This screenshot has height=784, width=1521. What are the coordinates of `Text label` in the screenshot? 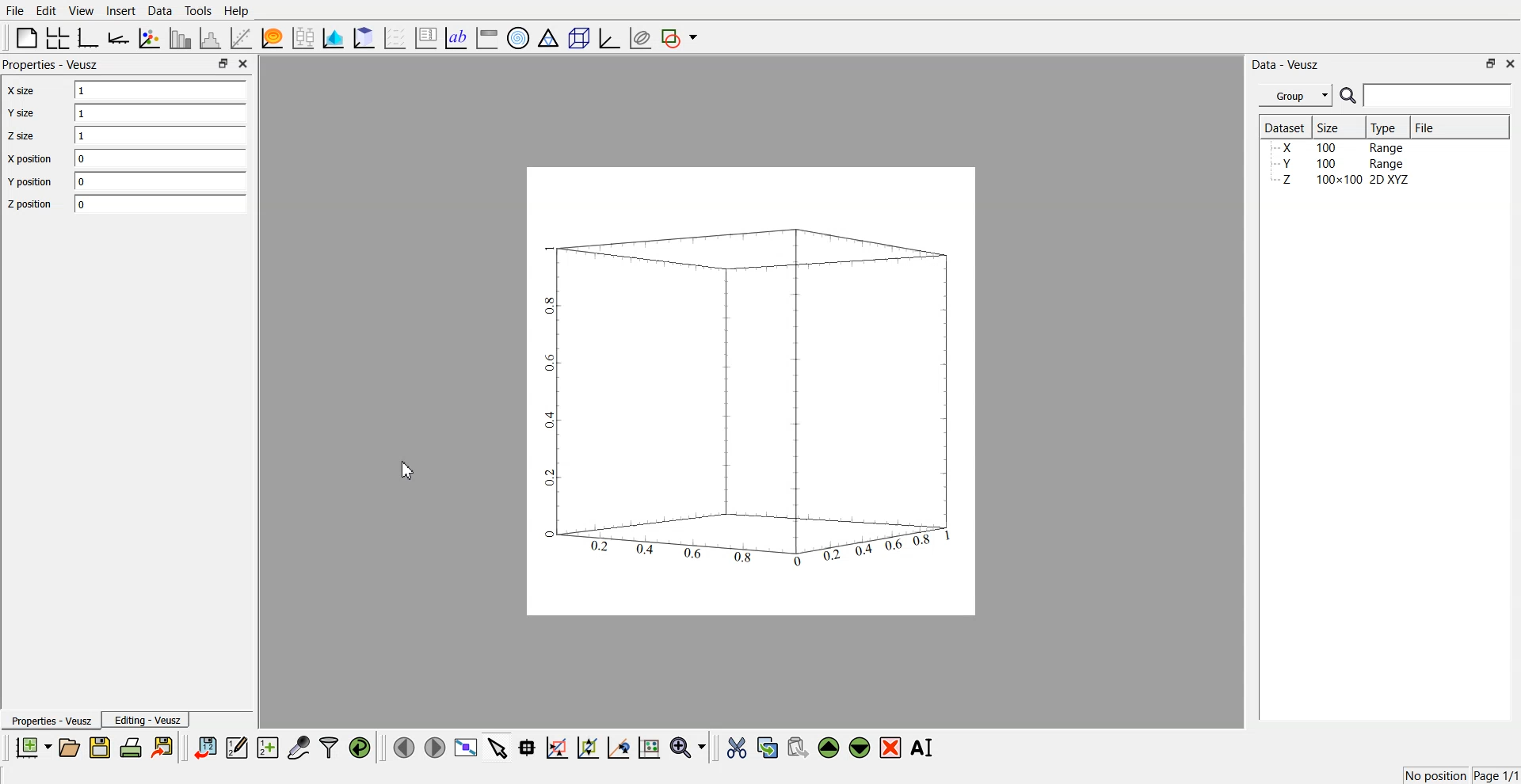 It's located at (456, 38).